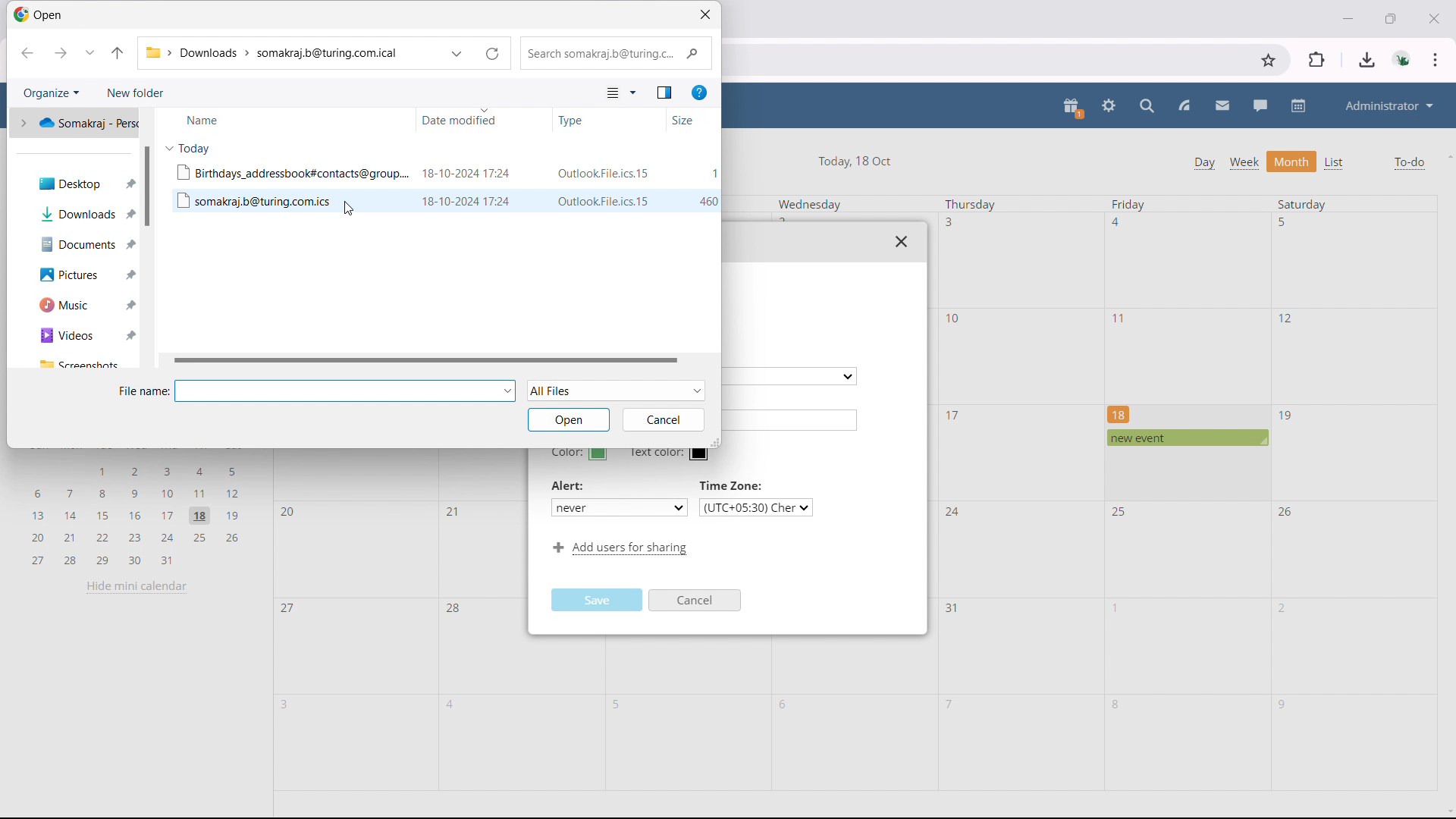  What do you see at coordinates (74, 275) in the screenshot?
I see `Pictures` at bounding box center [74, 275].